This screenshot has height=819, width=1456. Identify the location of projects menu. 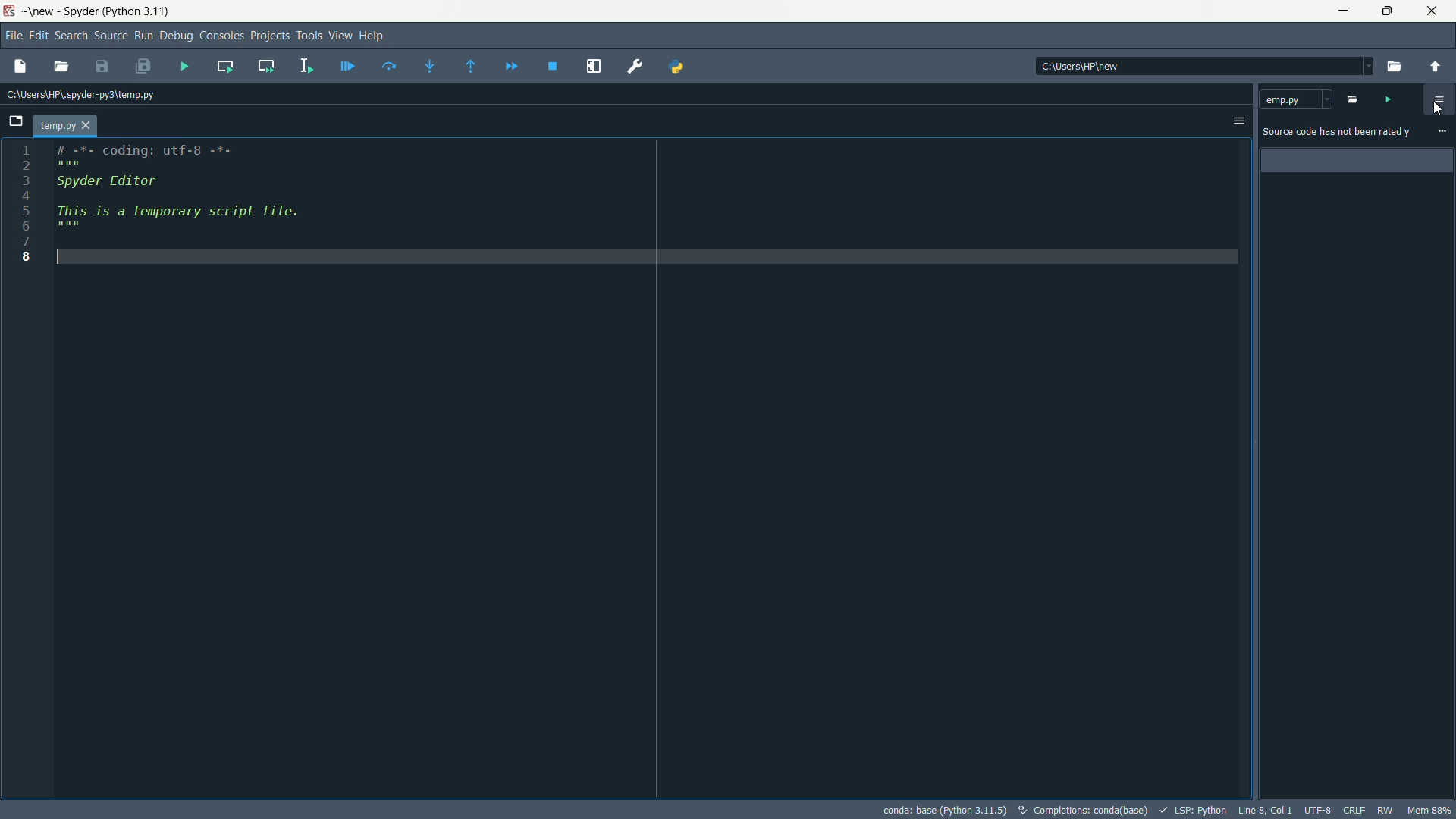
(269, 36).